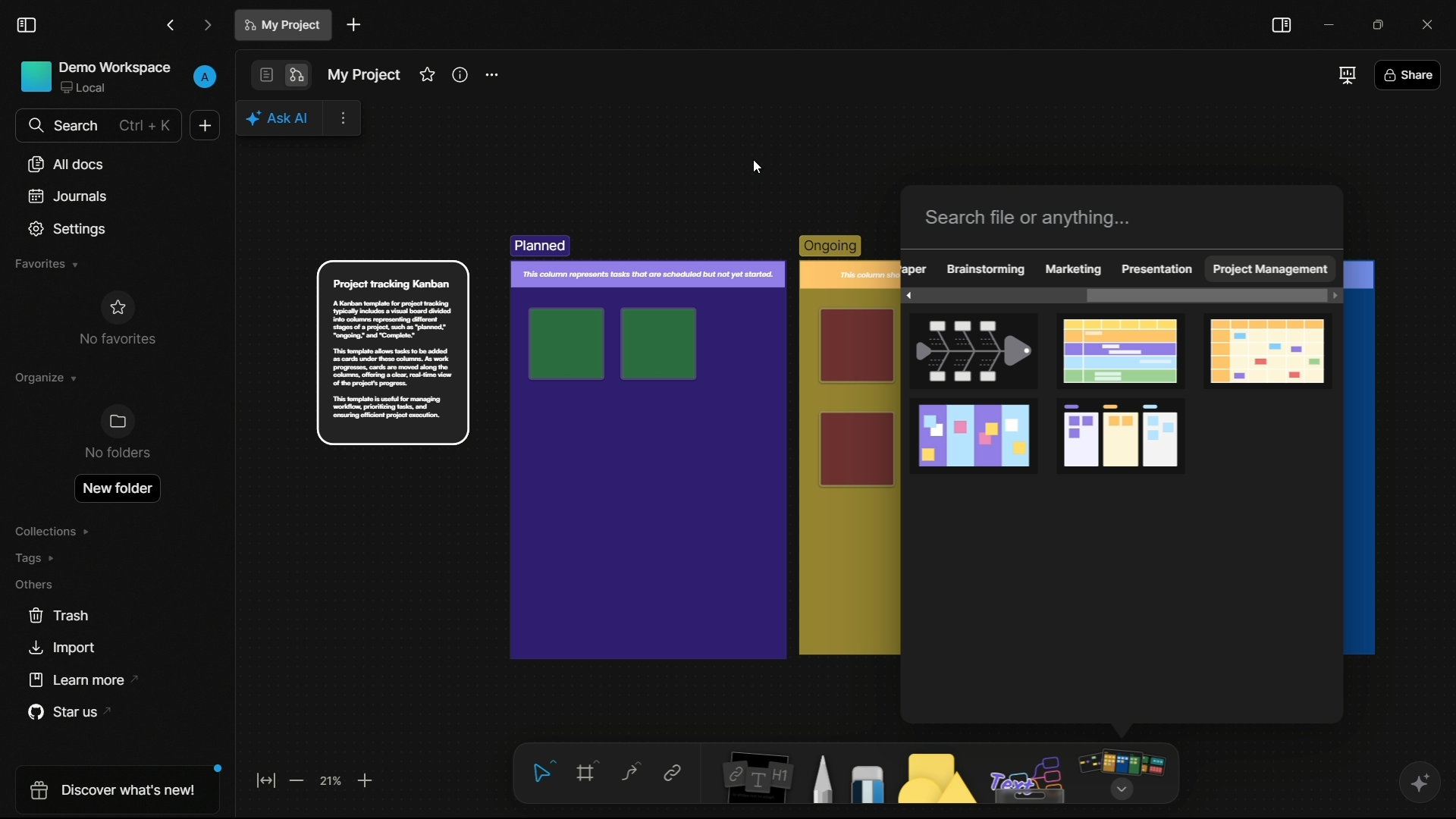 This screenshot has width=1456, height=819. Describe the element at coordinates (1281, 25) in the screenshot. I see `toggle sidebar` at that location.